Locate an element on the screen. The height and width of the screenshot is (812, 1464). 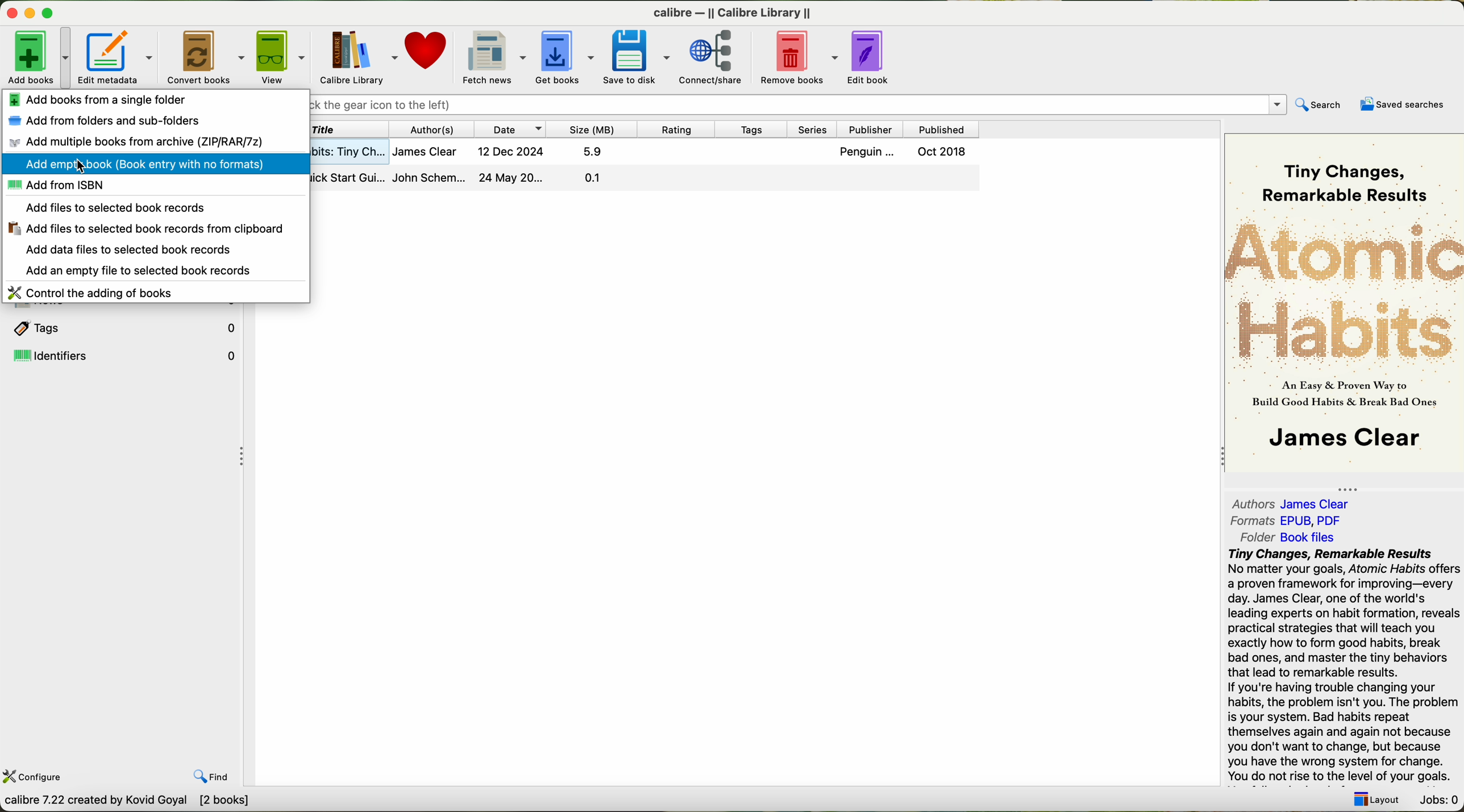
donate is located at coordinates (428, 52).